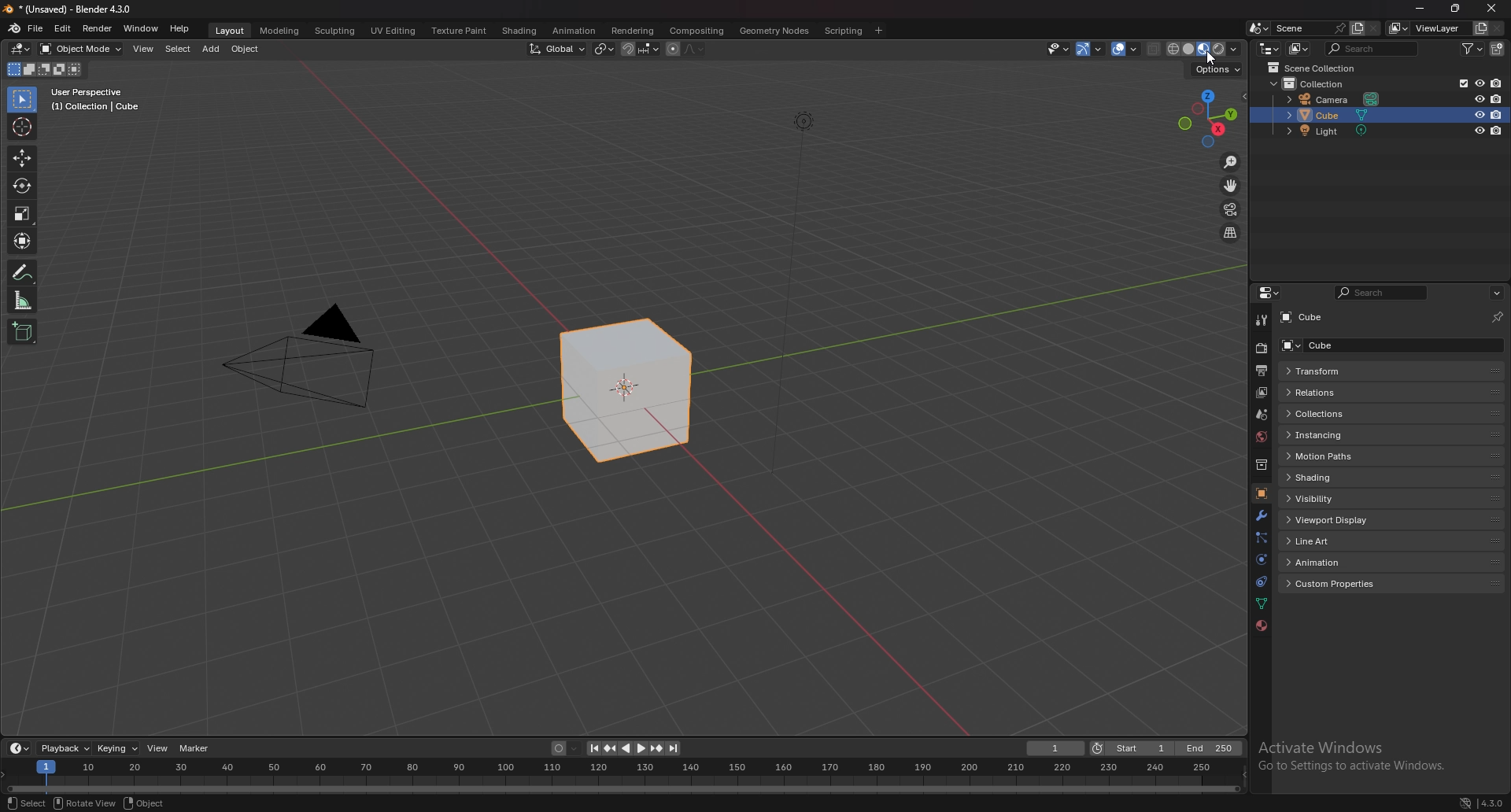 The image size is (1511, 812). I want to click on jump to first frame, so click(591, 749).